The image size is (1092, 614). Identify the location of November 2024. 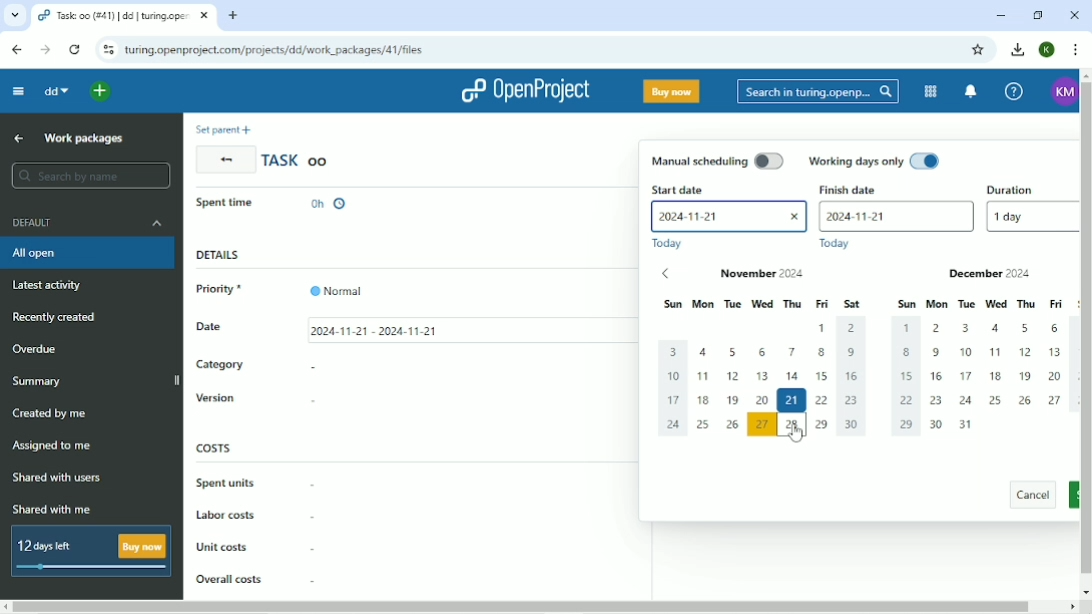
(771, 274).